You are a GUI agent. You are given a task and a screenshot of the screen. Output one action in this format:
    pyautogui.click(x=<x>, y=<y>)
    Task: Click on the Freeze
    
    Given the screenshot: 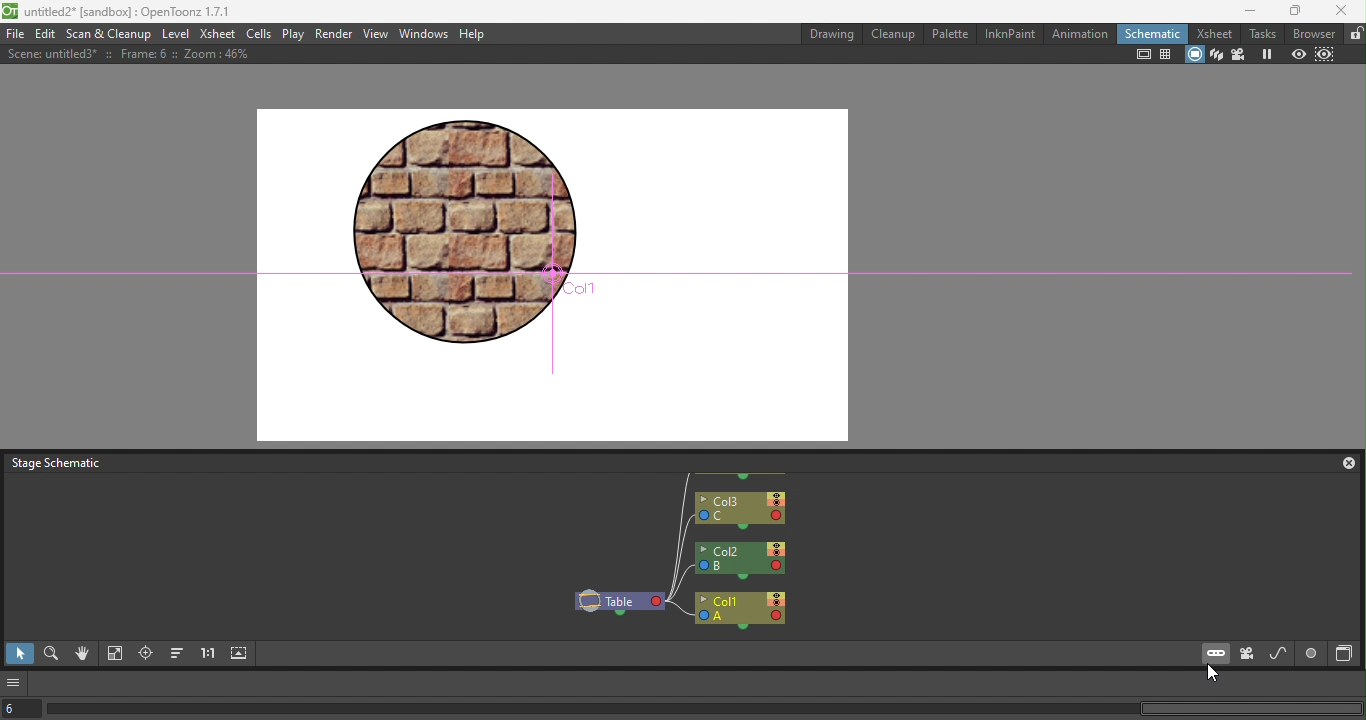 What is the action you would take?
    pyautogui.click(x=1270, y=54)
    